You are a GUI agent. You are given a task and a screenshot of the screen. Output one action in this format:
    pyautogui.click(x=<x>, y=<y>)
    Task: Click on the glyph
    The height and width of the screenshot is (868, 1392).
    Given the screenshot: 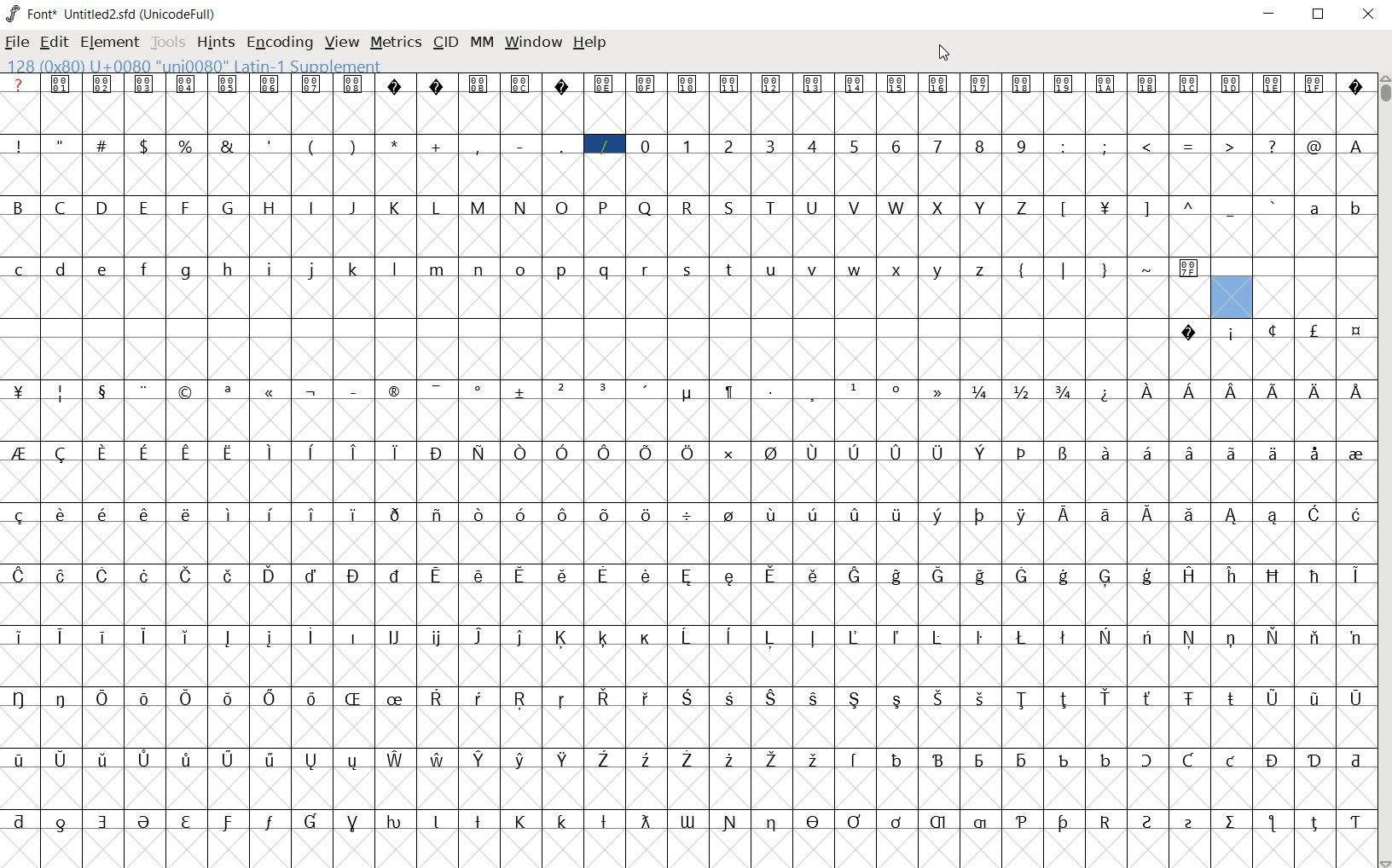 What is the action you would take?
    pyautogui.click(x=1273, y=391)
    